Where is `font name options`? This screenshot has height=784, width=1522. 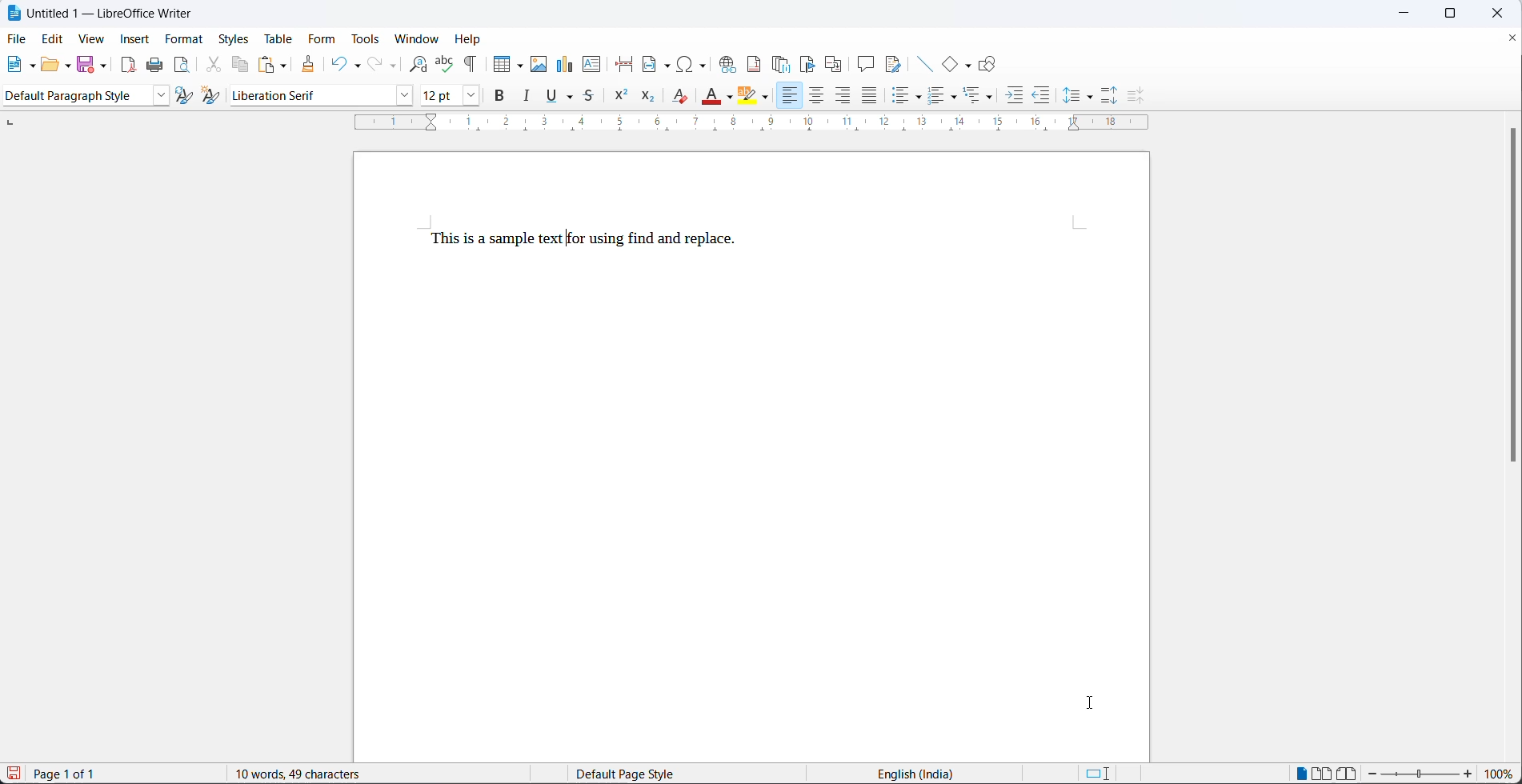
font name options is located at coordinates (401, 96).